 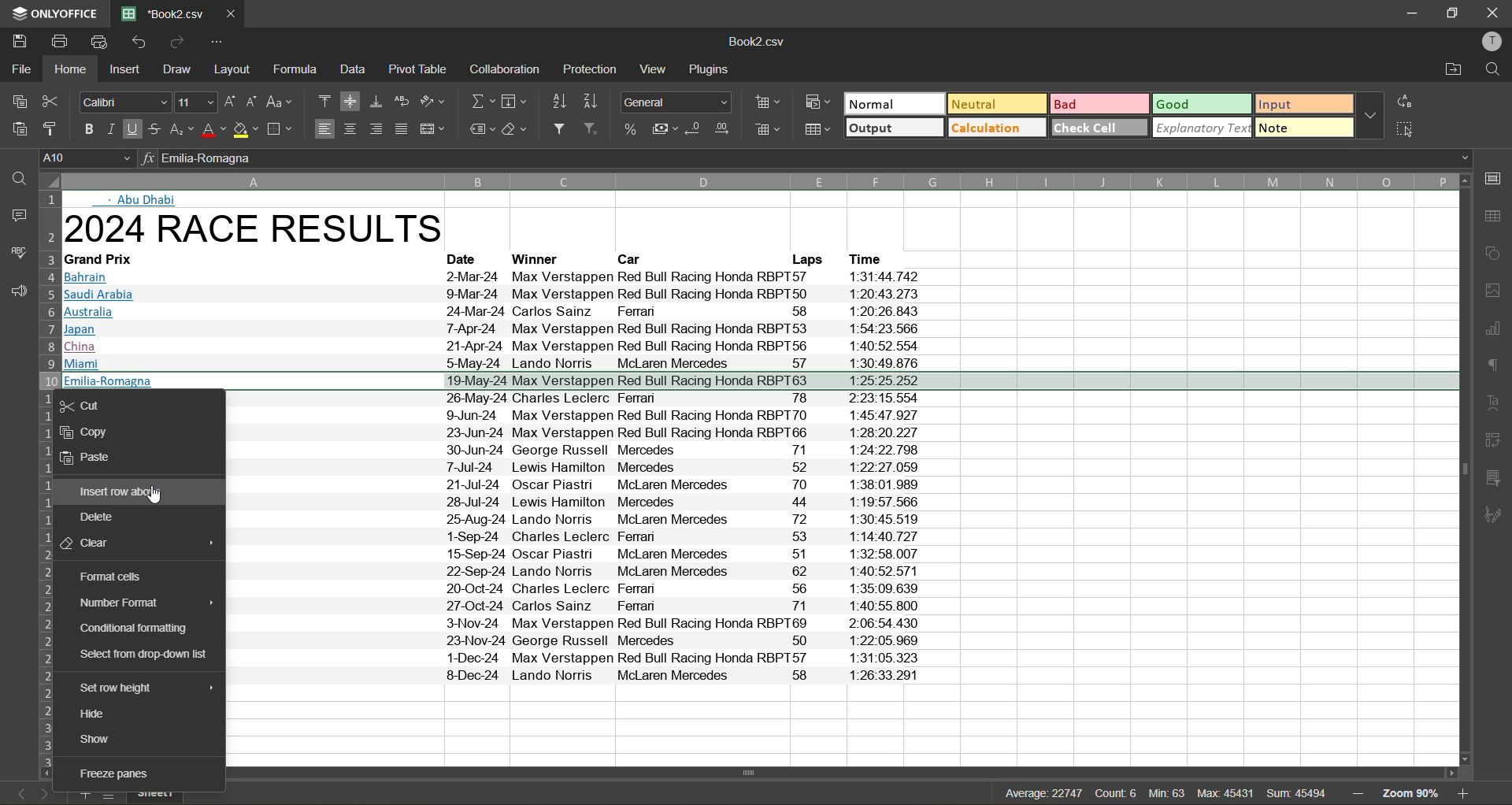 I want to click on Brazil 33-Nov-24 Max Verstappen Red Bull Racing Honda RBPT69 2:06:54 430, so click(x=576, y=624).